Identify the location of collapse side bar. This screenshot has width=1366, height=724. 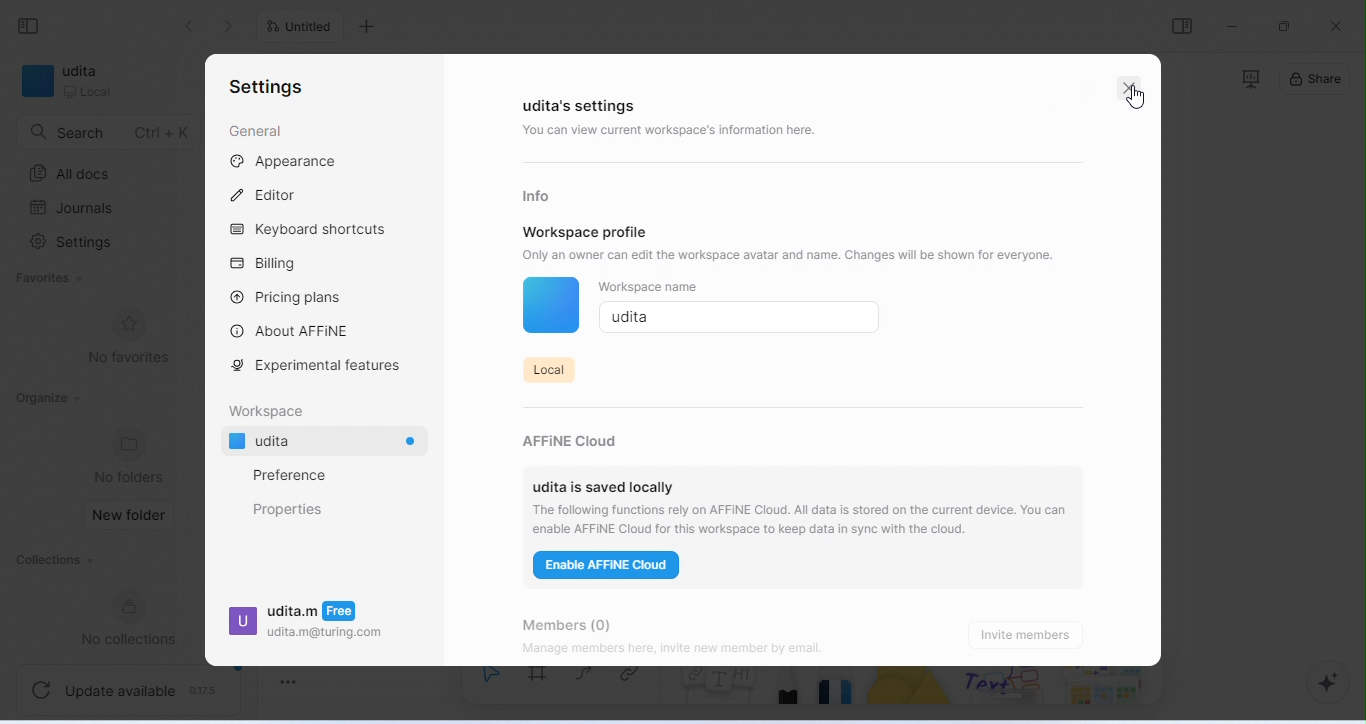
(34, 27).